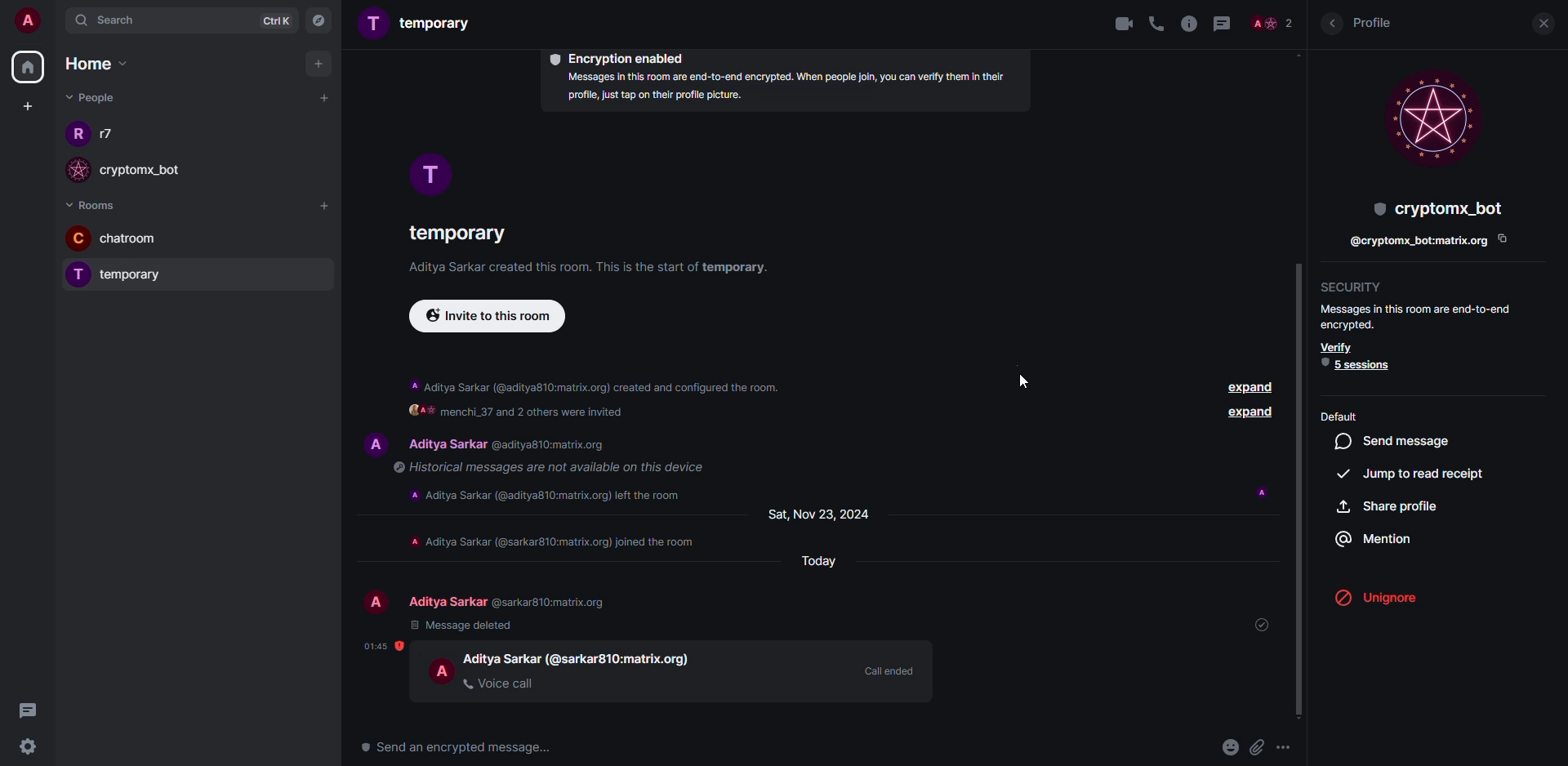  Describe the element at coordinates (457, 748) in the screenshot. I see ` Send an encrypted message...` at that location.